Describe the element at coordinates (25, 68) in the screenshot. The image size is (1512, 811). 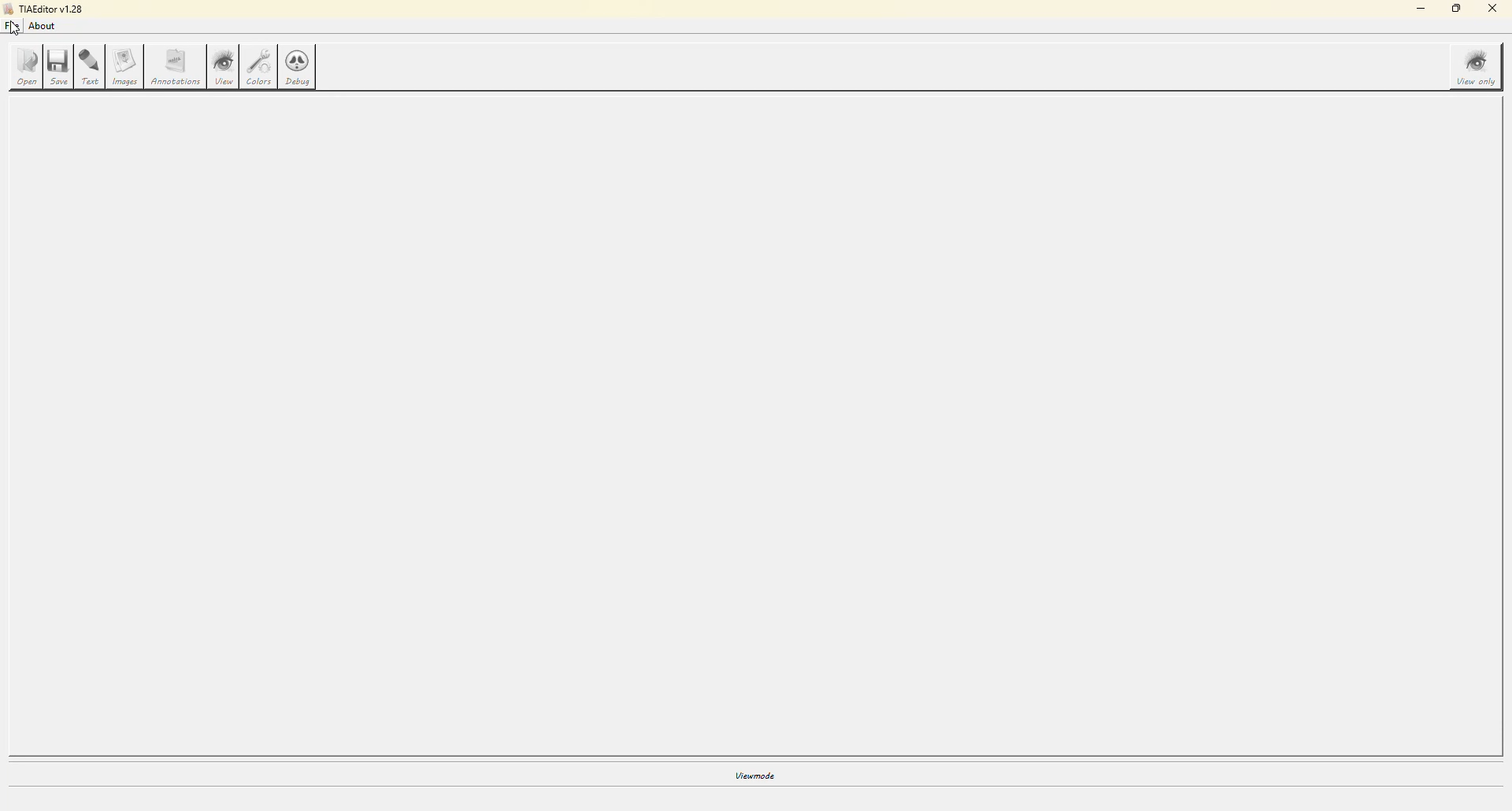
I see `open` at that location.